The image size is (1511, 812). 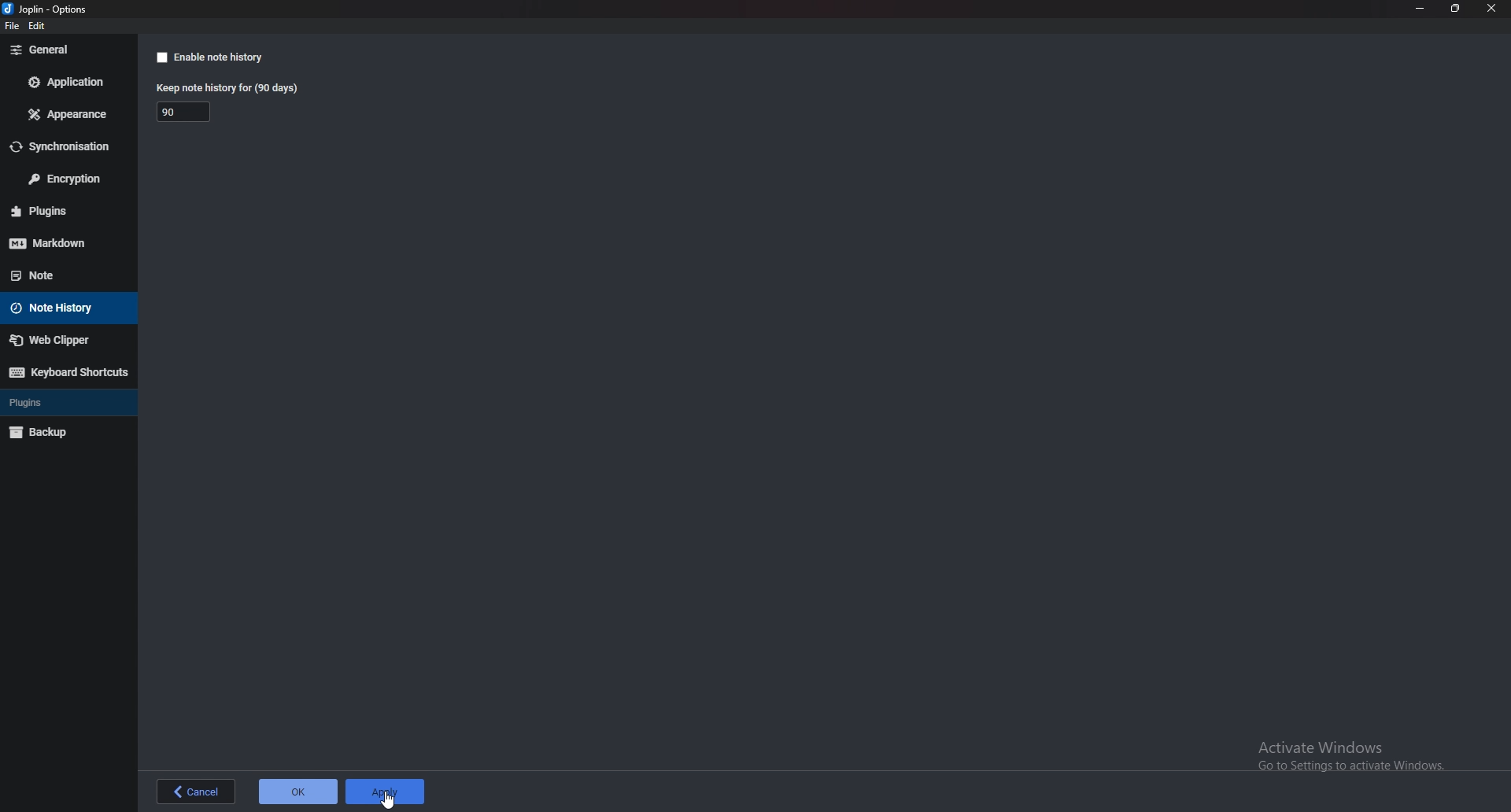 What do you see at coordinates (60, 274) in the screenshot?
I see `Note` at bounding box center [60, 274].